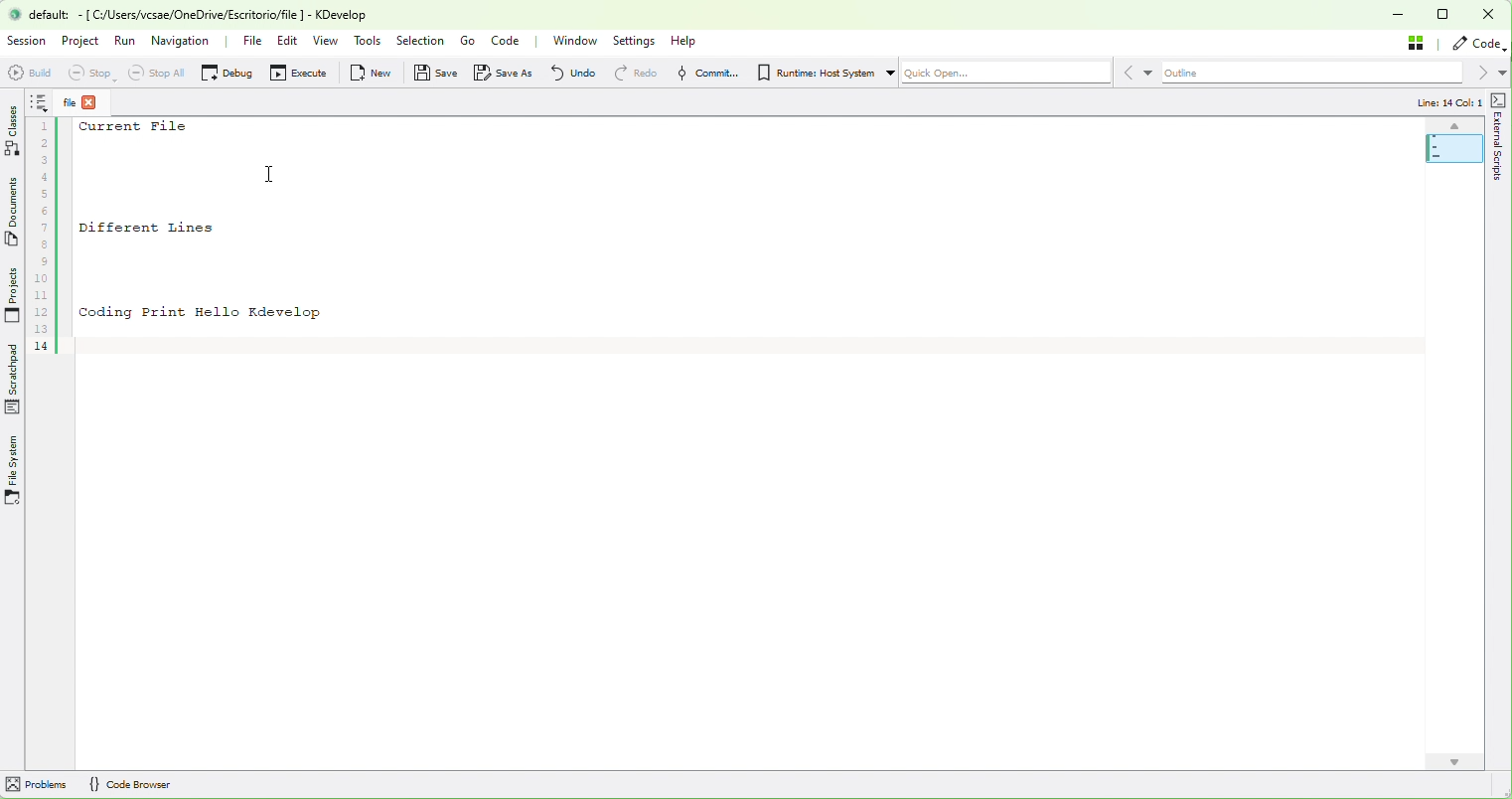  I want to click on Close, so click(1487, 15).